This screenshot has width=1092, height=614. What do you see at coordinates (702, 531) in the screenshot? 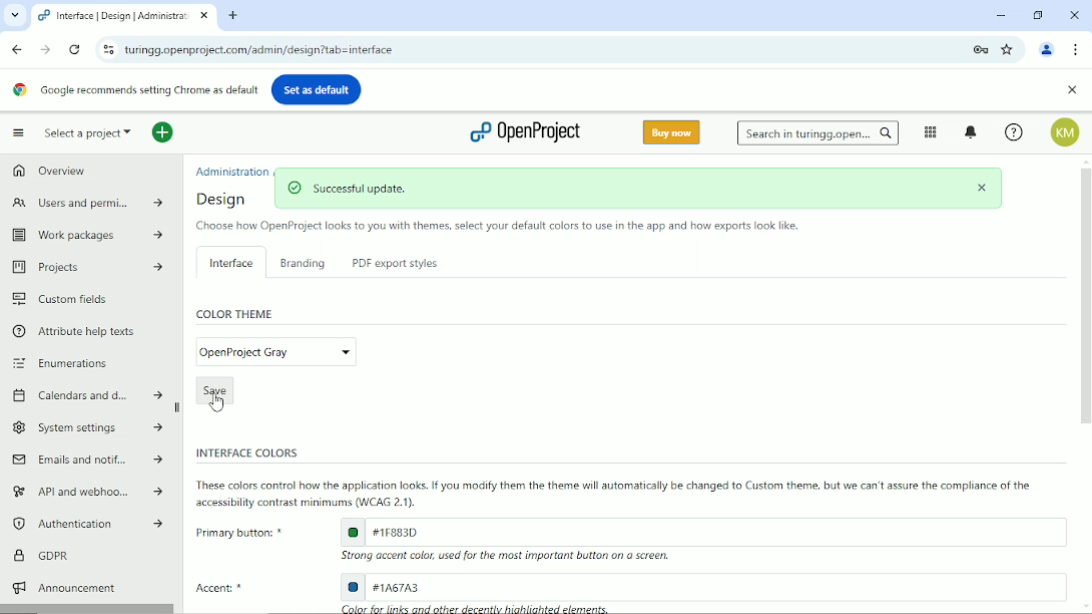
I see `primary button` at bounding box center [702, 531].